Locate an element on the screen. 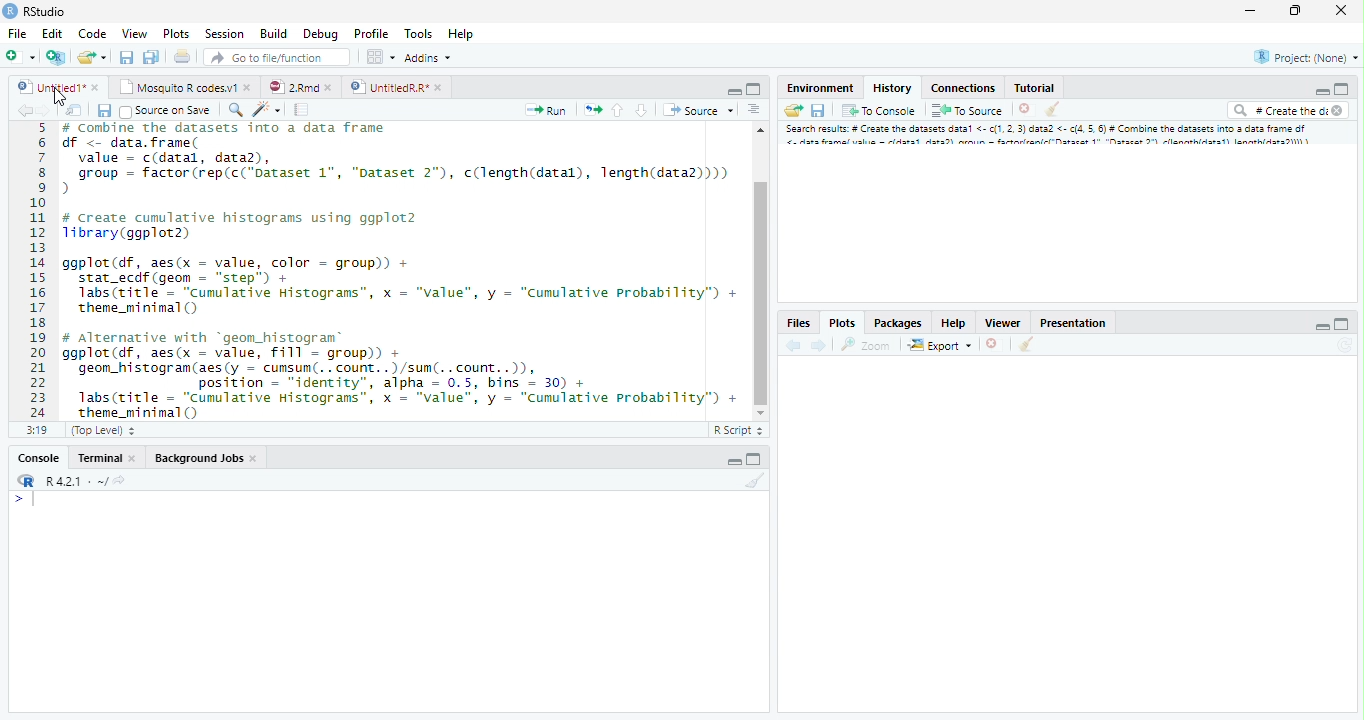  R.4.2.1 is located at coordinates (65, 481).